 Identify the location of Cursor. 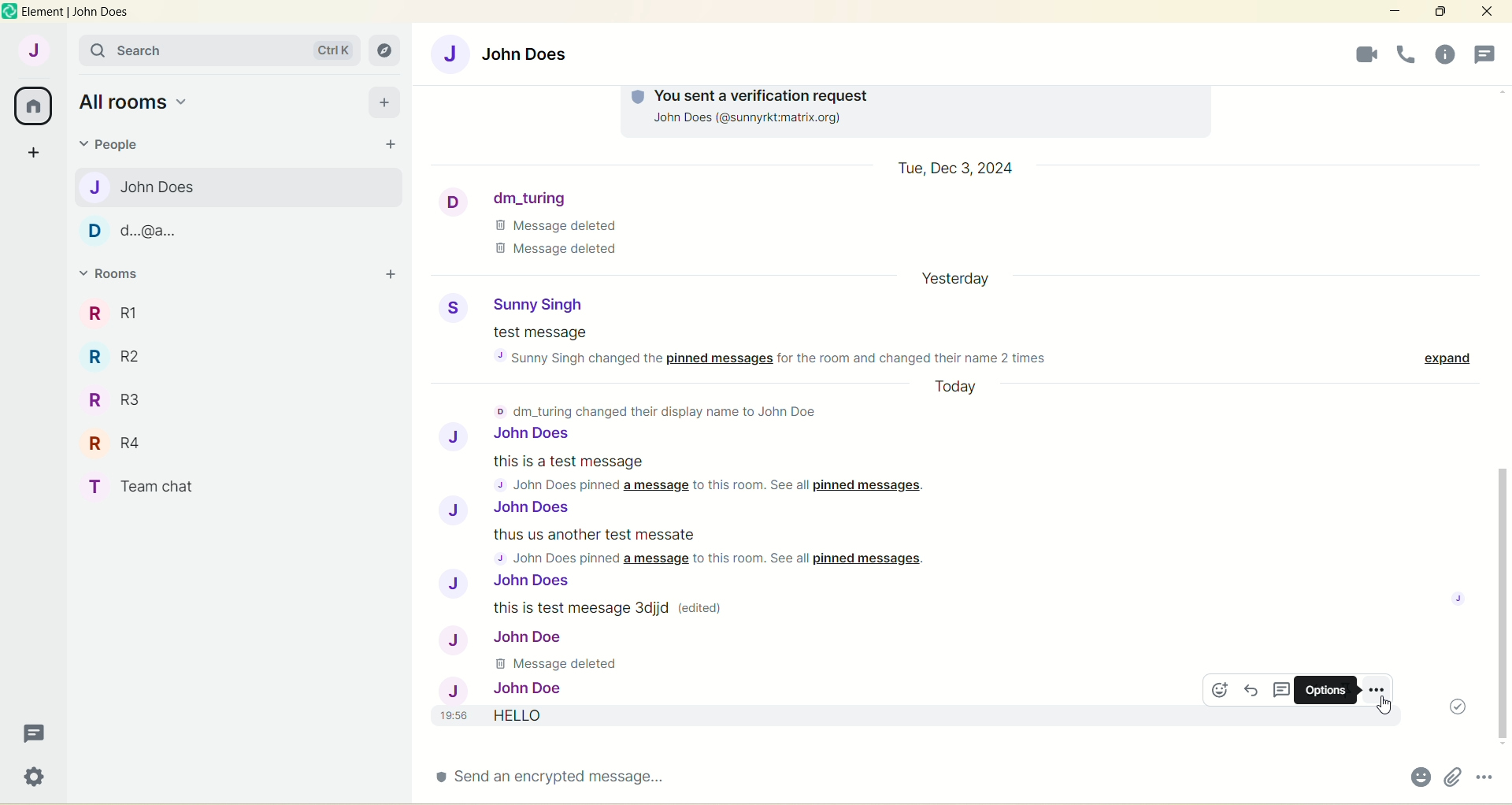
(1380, 705).